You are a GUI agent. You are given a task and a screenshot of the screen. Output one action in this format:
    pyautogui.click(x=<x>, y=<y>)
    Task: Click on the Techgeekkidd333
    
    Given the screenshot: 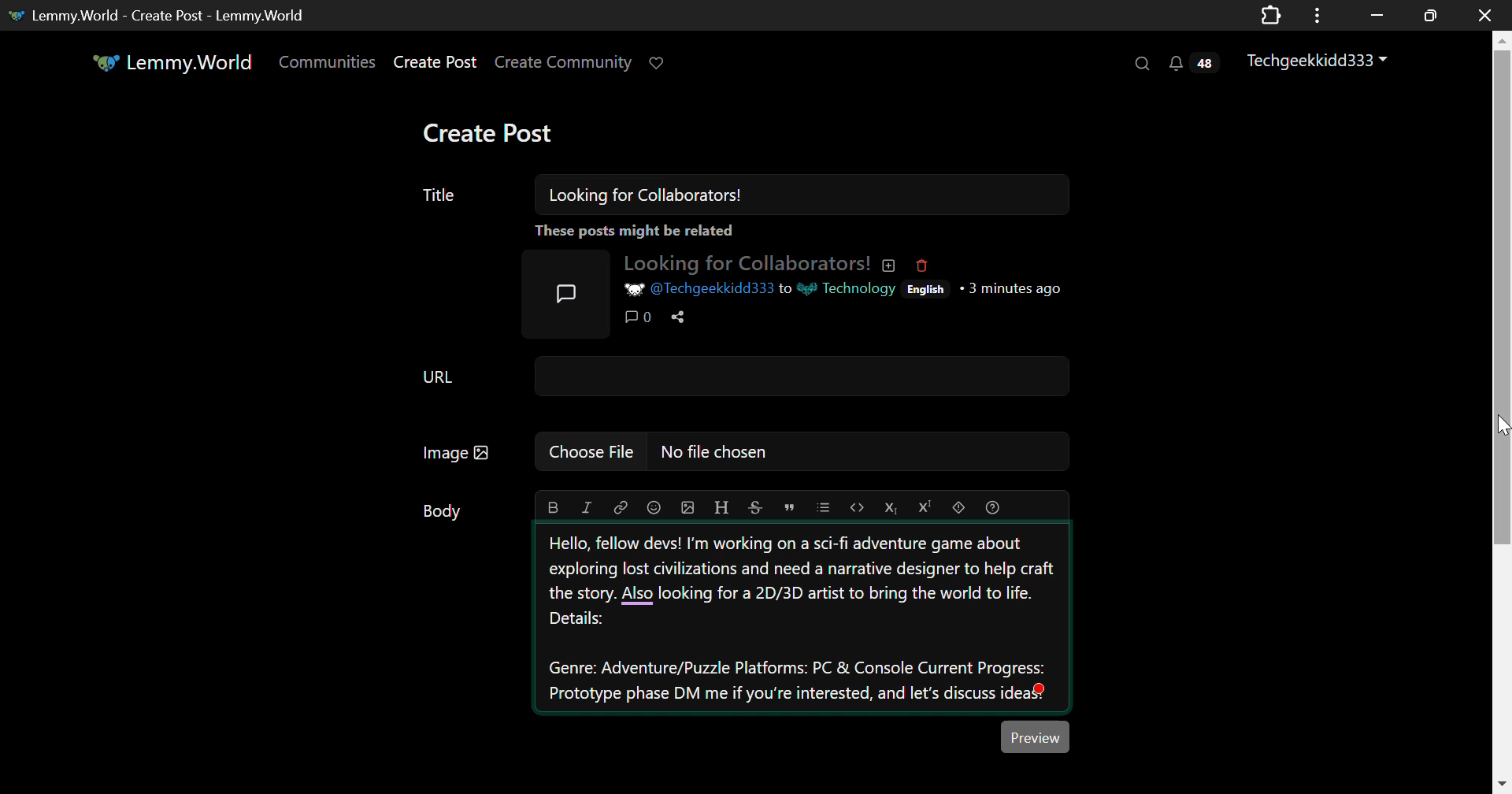 What is the action you would take?
    pyautogui.click(x=1319, y=61)
    